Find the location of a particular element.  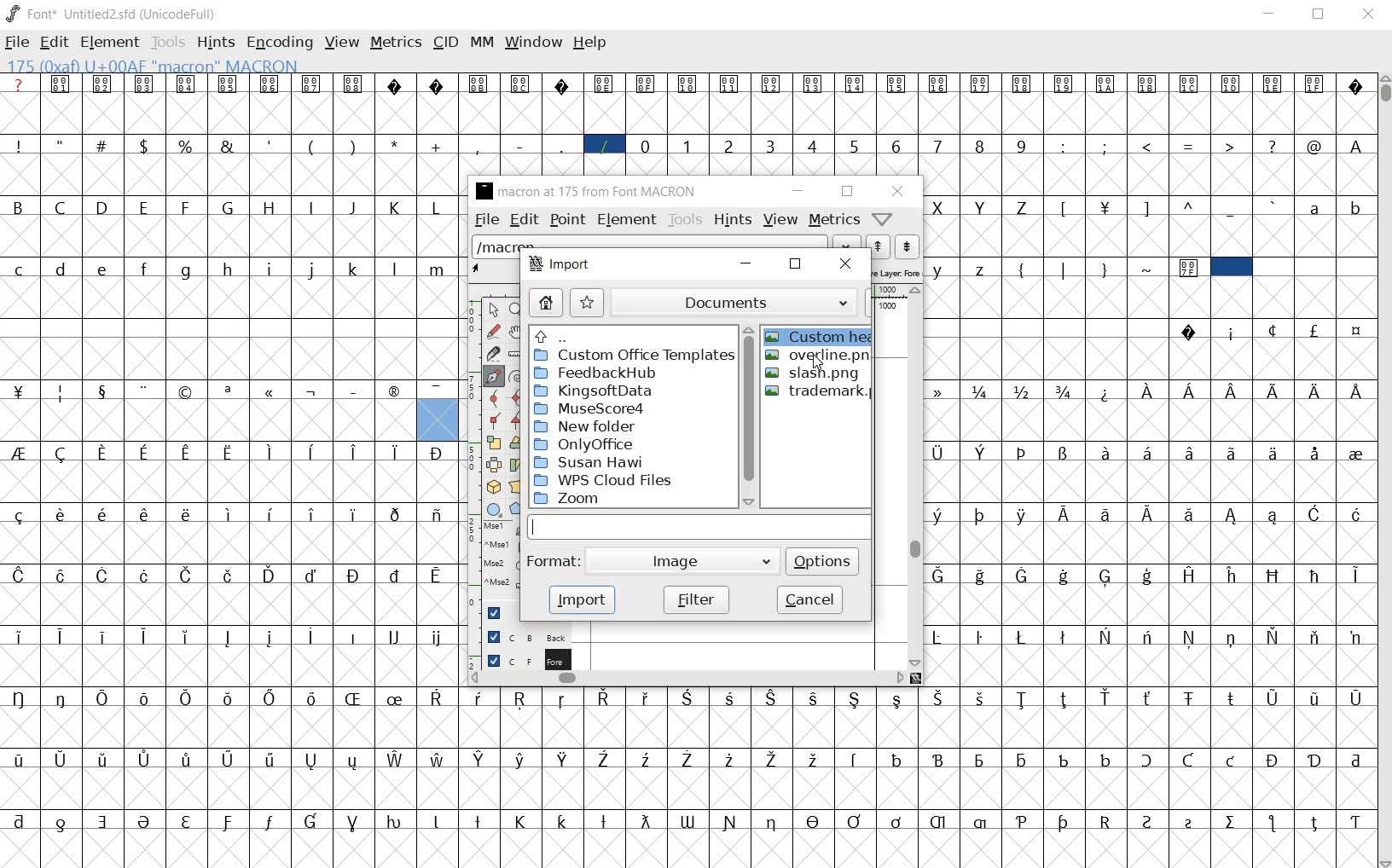

load word list is located at coordinates (647, 243).